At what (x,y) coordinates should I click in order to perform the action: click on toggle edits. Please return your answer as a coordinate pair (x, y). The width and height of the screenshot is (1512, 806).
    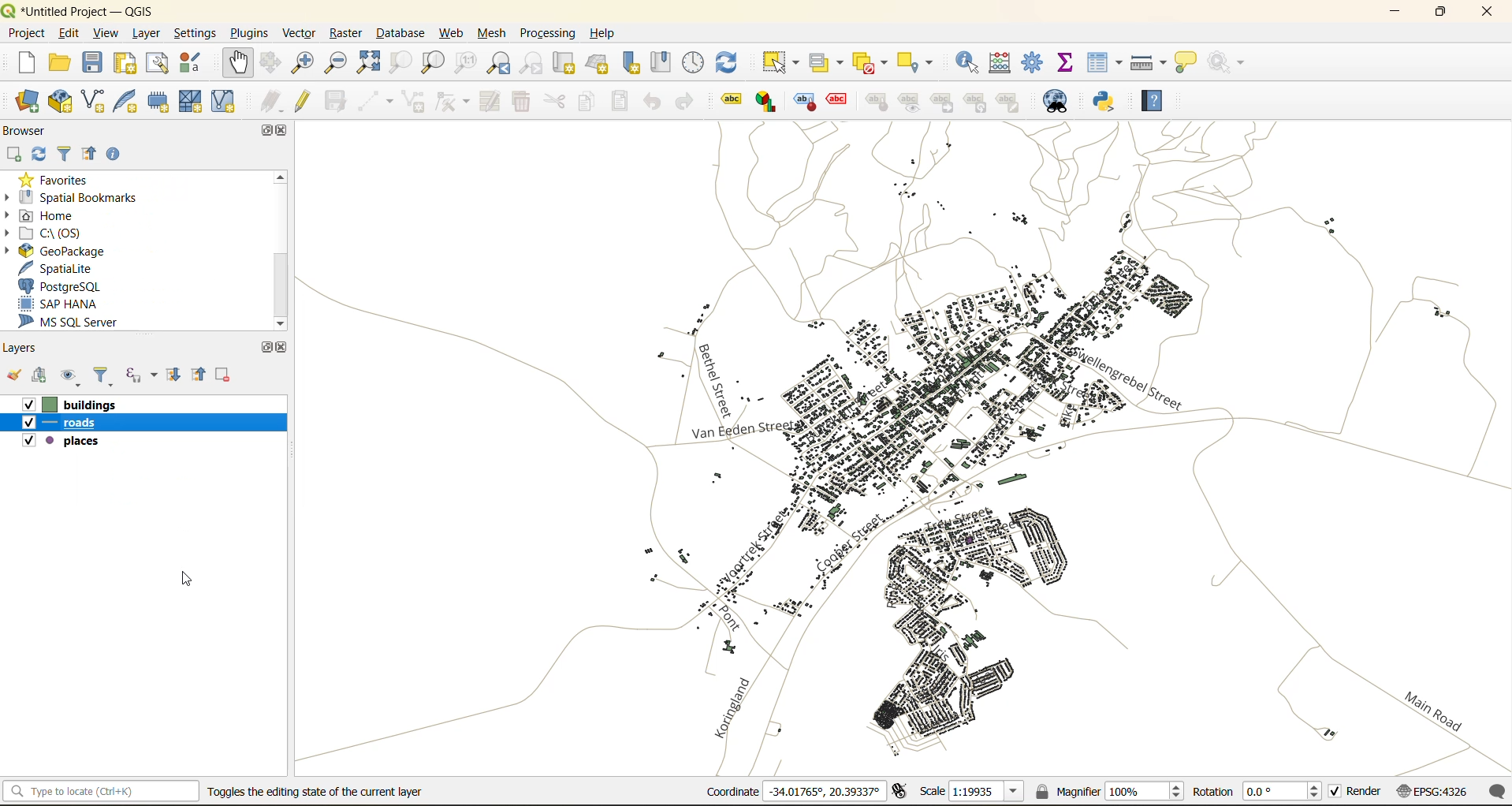
    Looking at the image, I should click on (302, 103).